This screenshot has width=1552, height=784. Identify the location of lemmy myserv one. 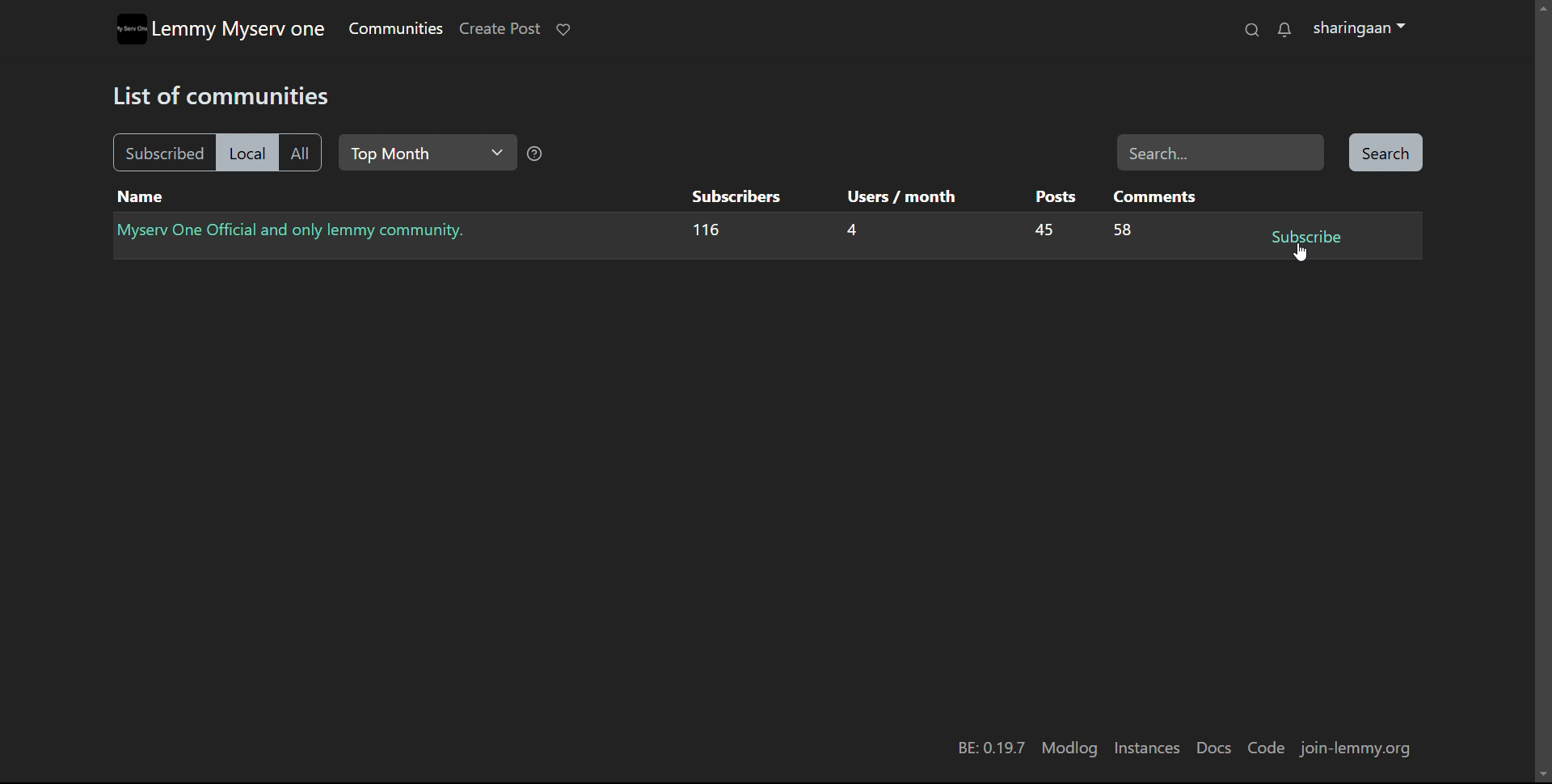
(239, 30).